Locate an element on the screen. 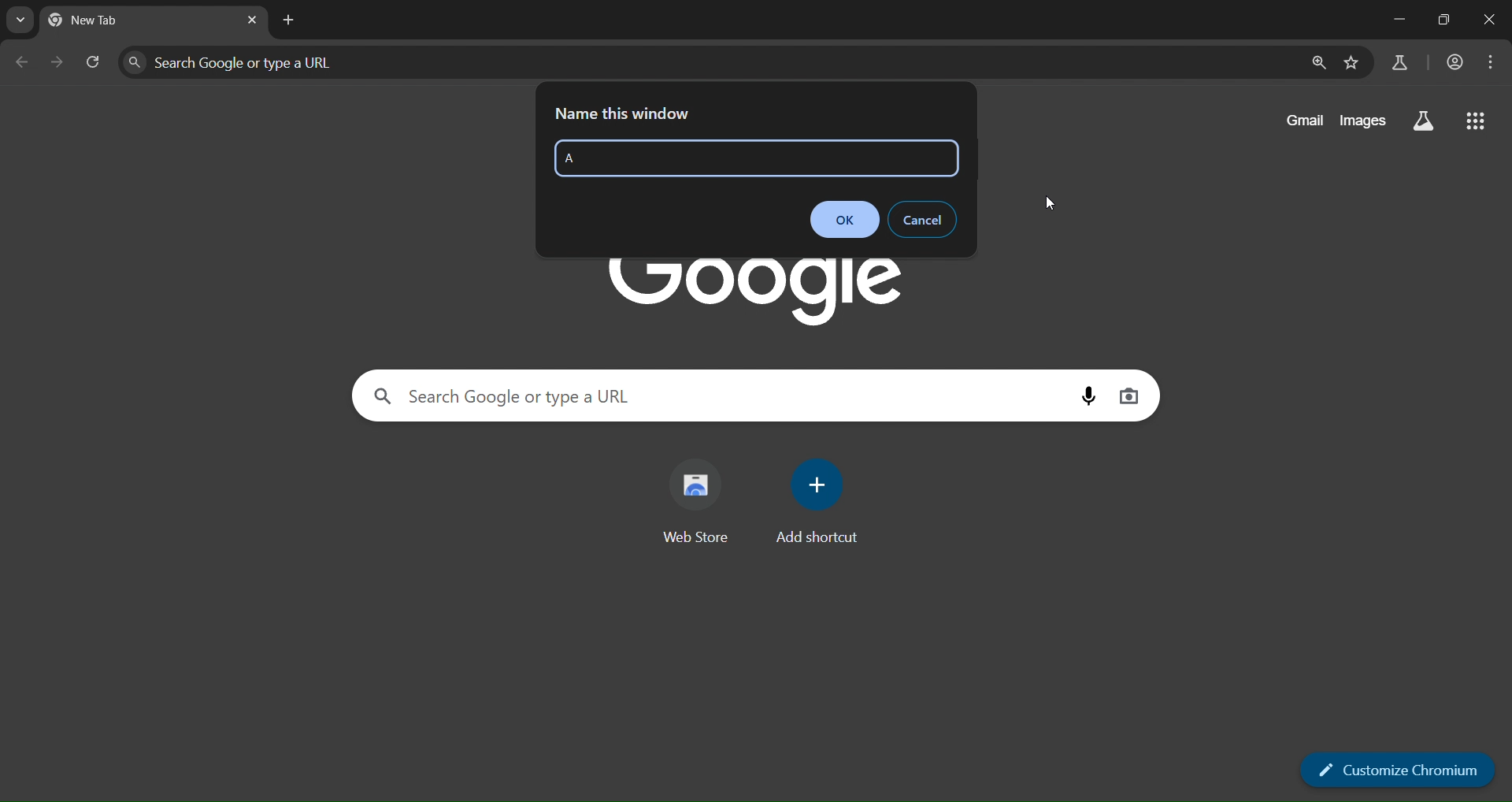 The height and width of the screenshot is (802, 1512). Google logo is located at coordinates (747, 293).